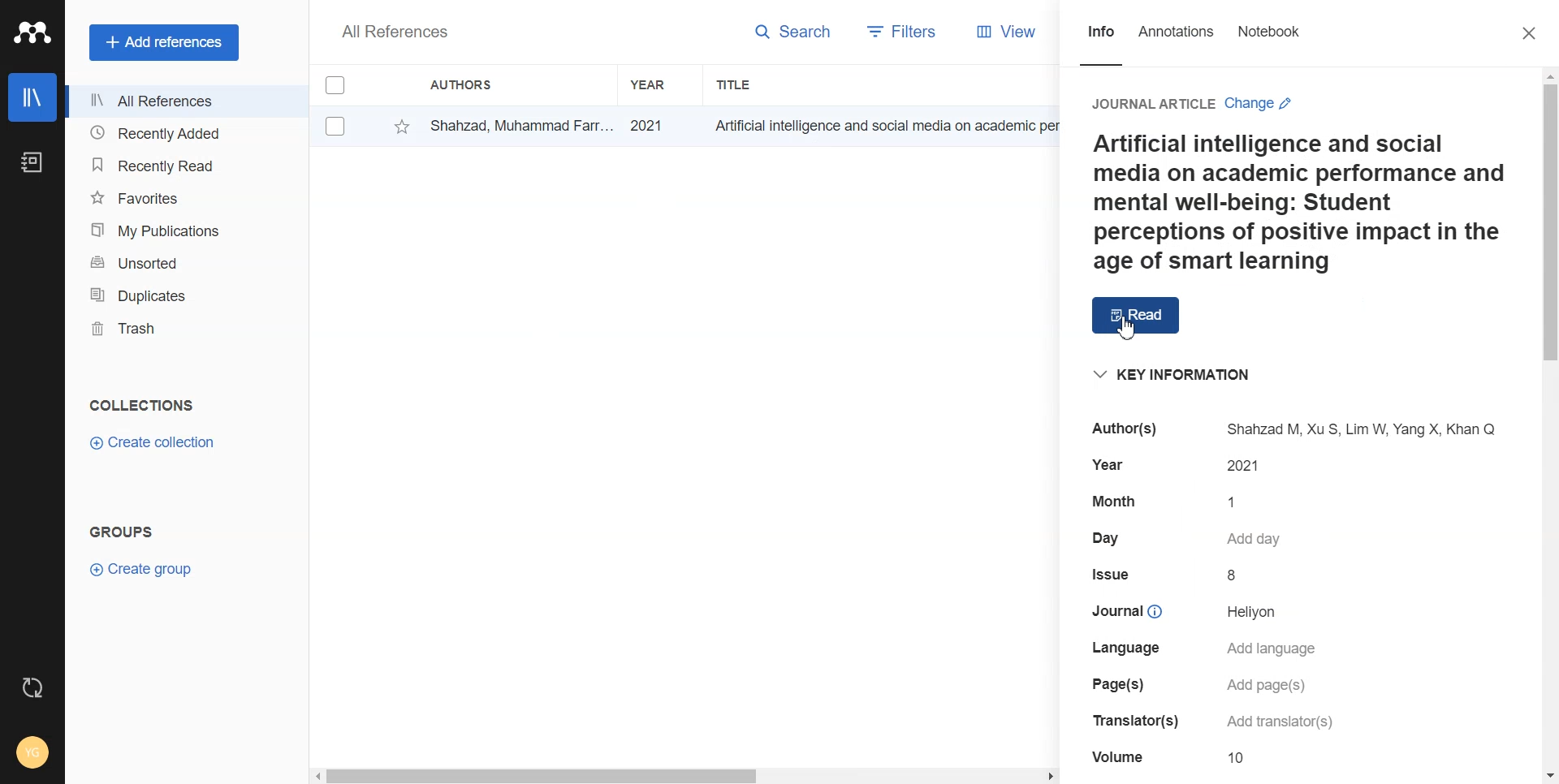 This screenshot has width=1559, height=784. What do you see at coordinates (1001, 32) in the screenshot?
I see `View` at bounding box center [1001, 32].